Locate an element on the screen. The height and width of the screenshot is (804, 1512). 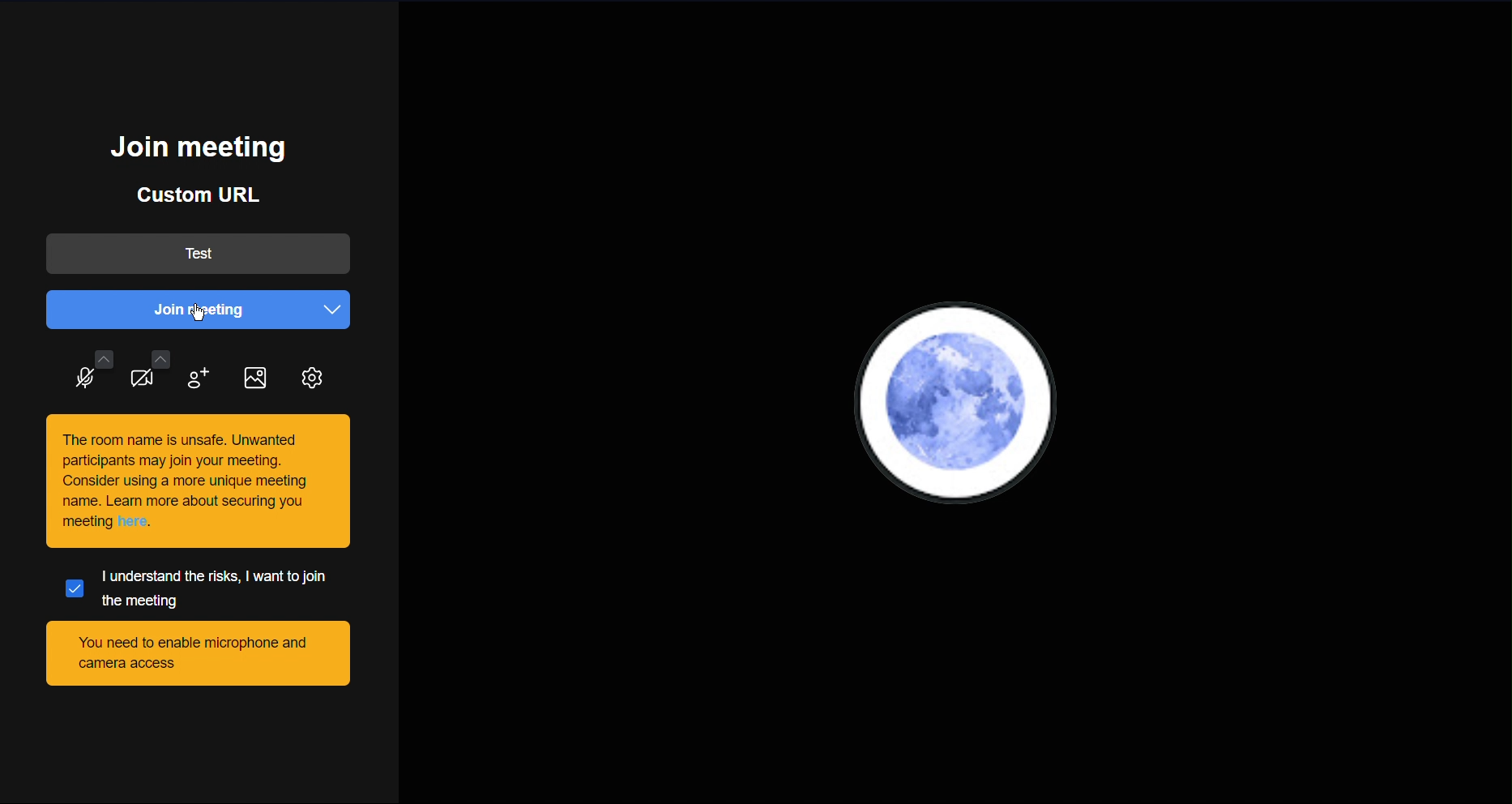
Join meeting is located at coordinates (196, 147).